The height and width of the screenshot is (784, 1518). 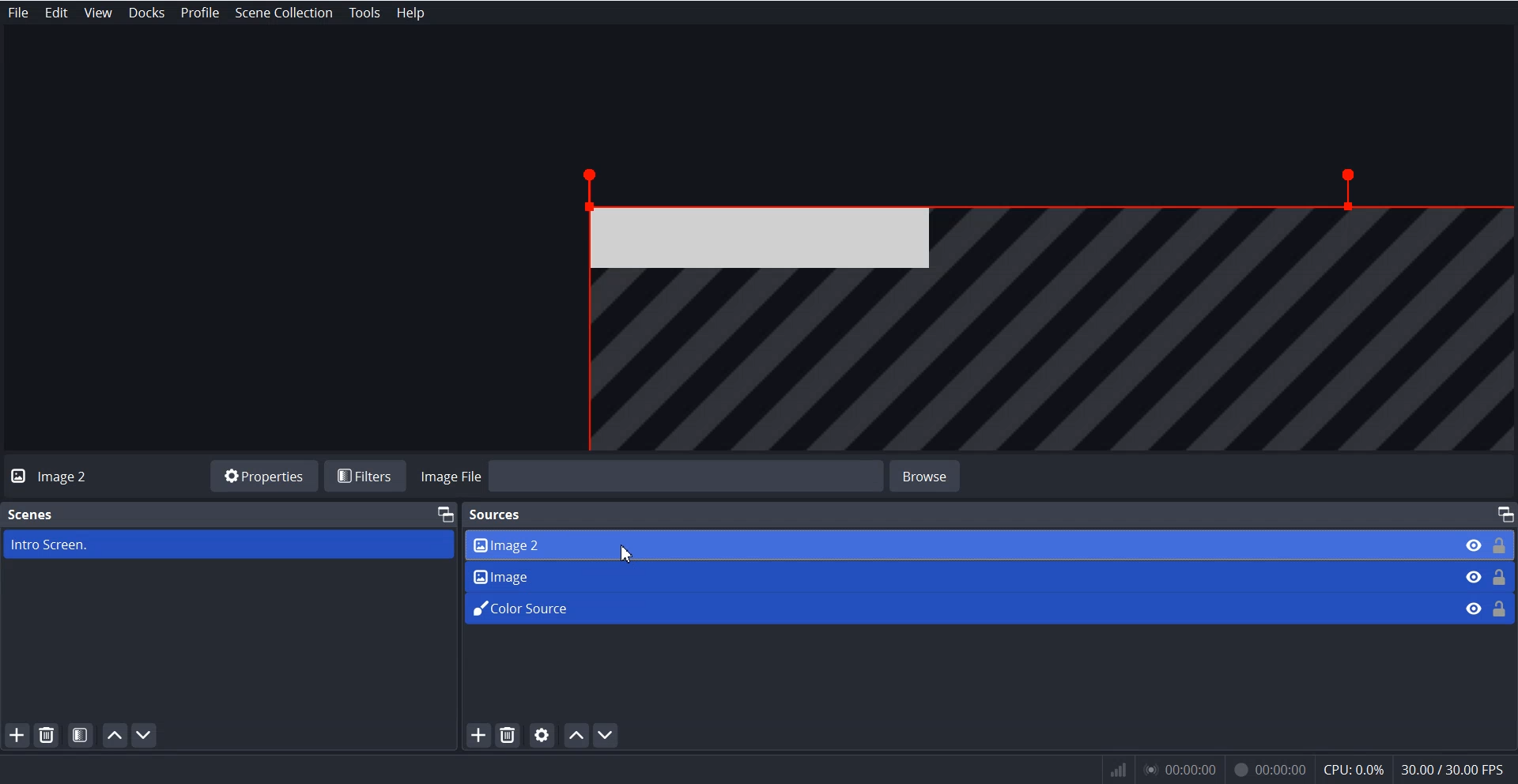 I want to click on Move Source Up, so click(x=576, y=735).